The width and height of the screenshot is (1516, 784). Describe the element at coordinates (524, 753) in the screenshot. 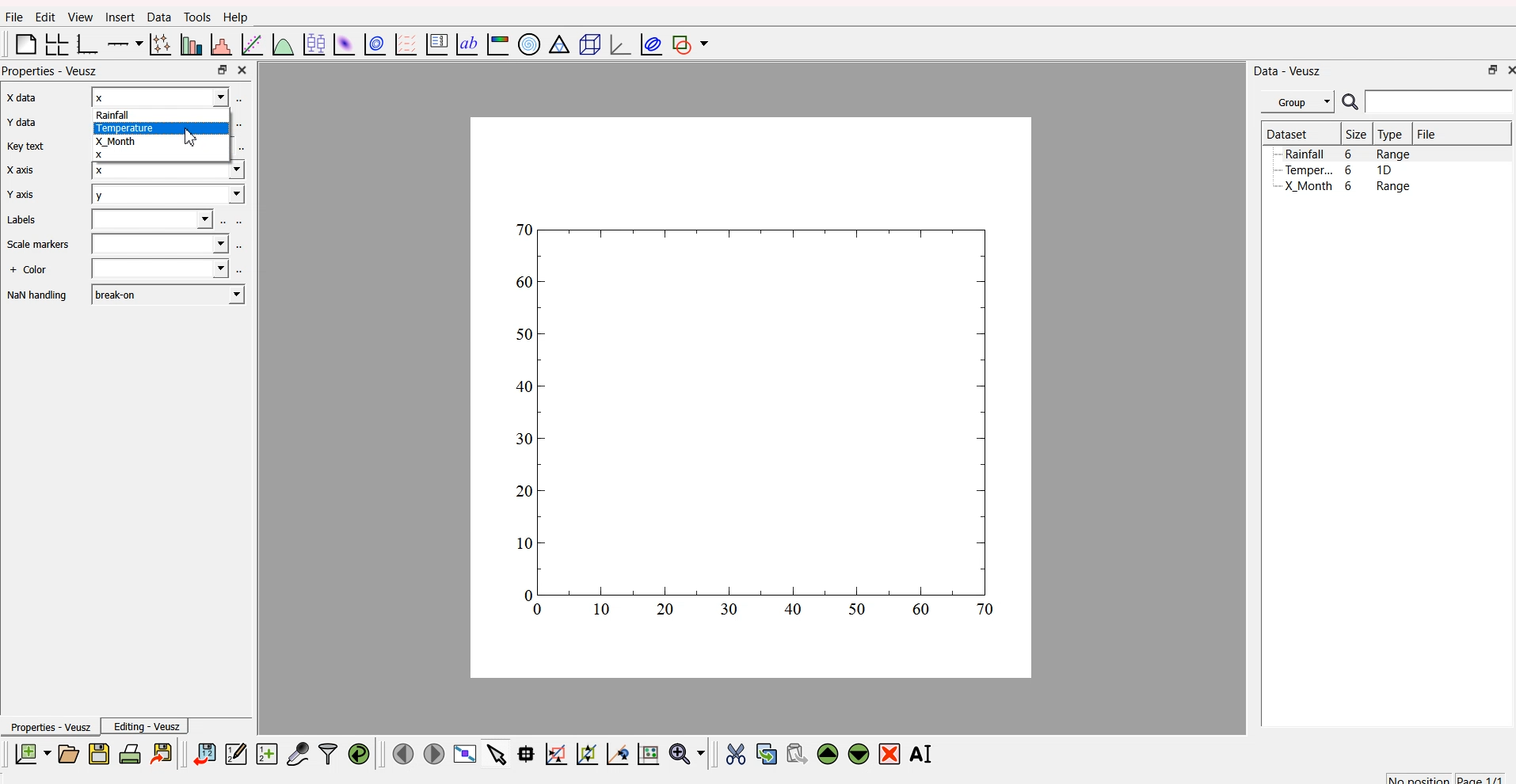

I see `read datapoint on graph` at that location.